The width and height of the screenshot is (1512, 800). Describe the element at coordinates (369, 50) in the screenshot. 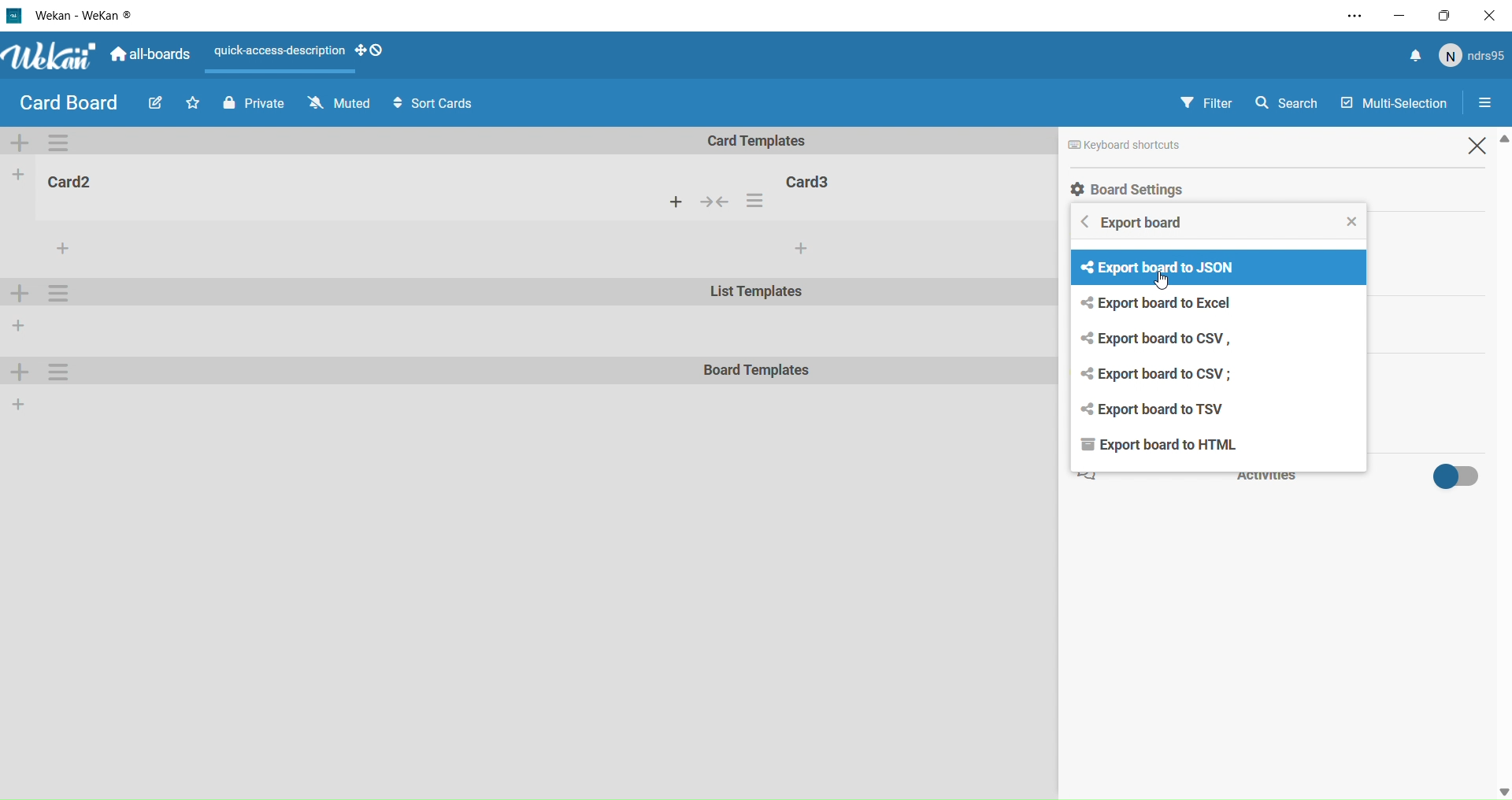

I see `desktop drag handles` at that location.